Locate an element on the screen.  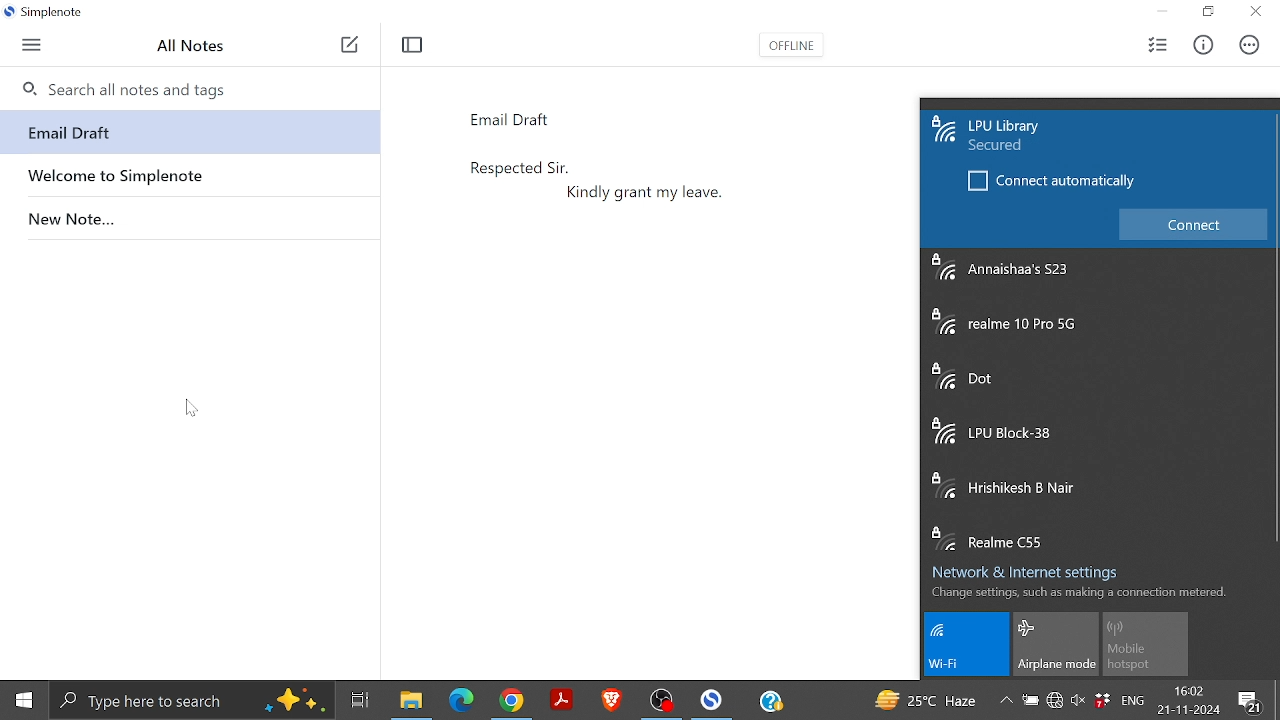
Chrome is located at coordinates (516, 700).